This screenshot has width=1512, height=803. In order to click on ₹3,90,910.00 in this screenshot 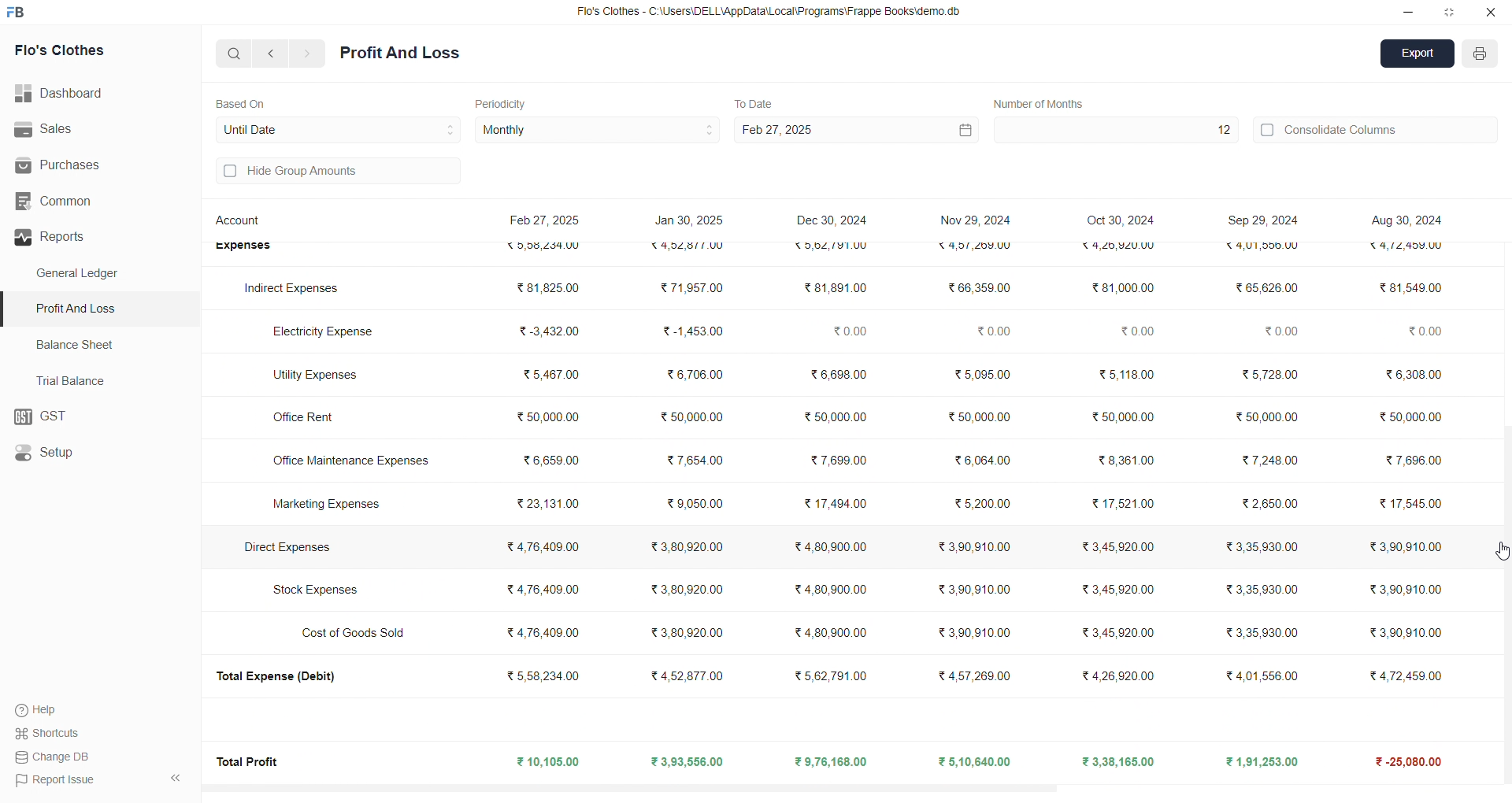, I will do `click(978, 546)`.